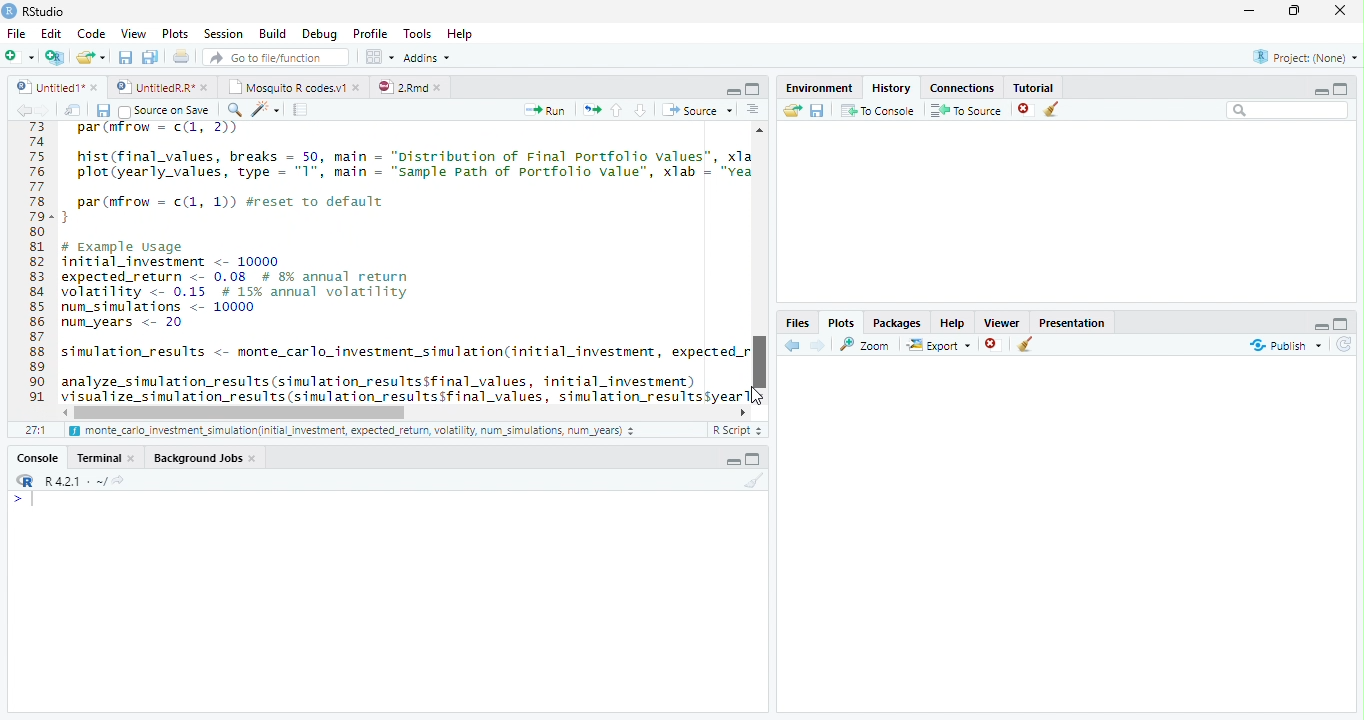  Describe the element at coordinates (732, 461) in the screenshot. I see `Hide` at that location.